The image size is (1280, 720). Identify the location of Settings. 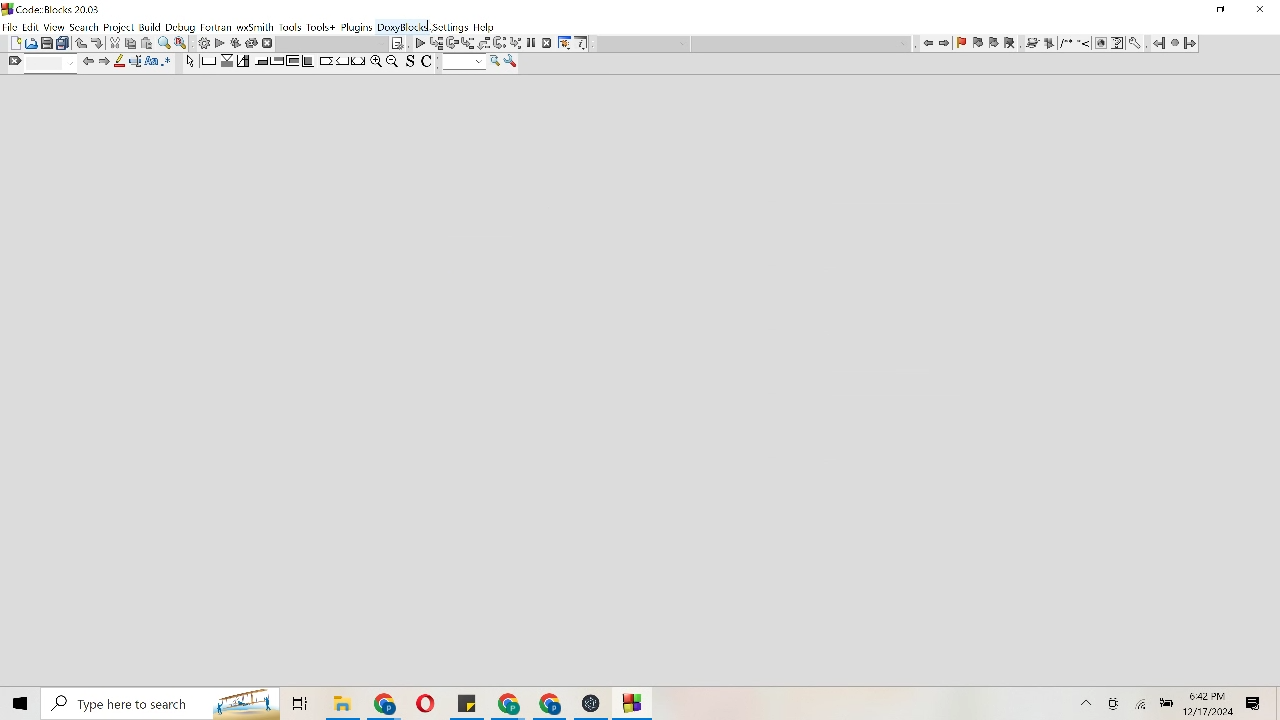
(202, 43).